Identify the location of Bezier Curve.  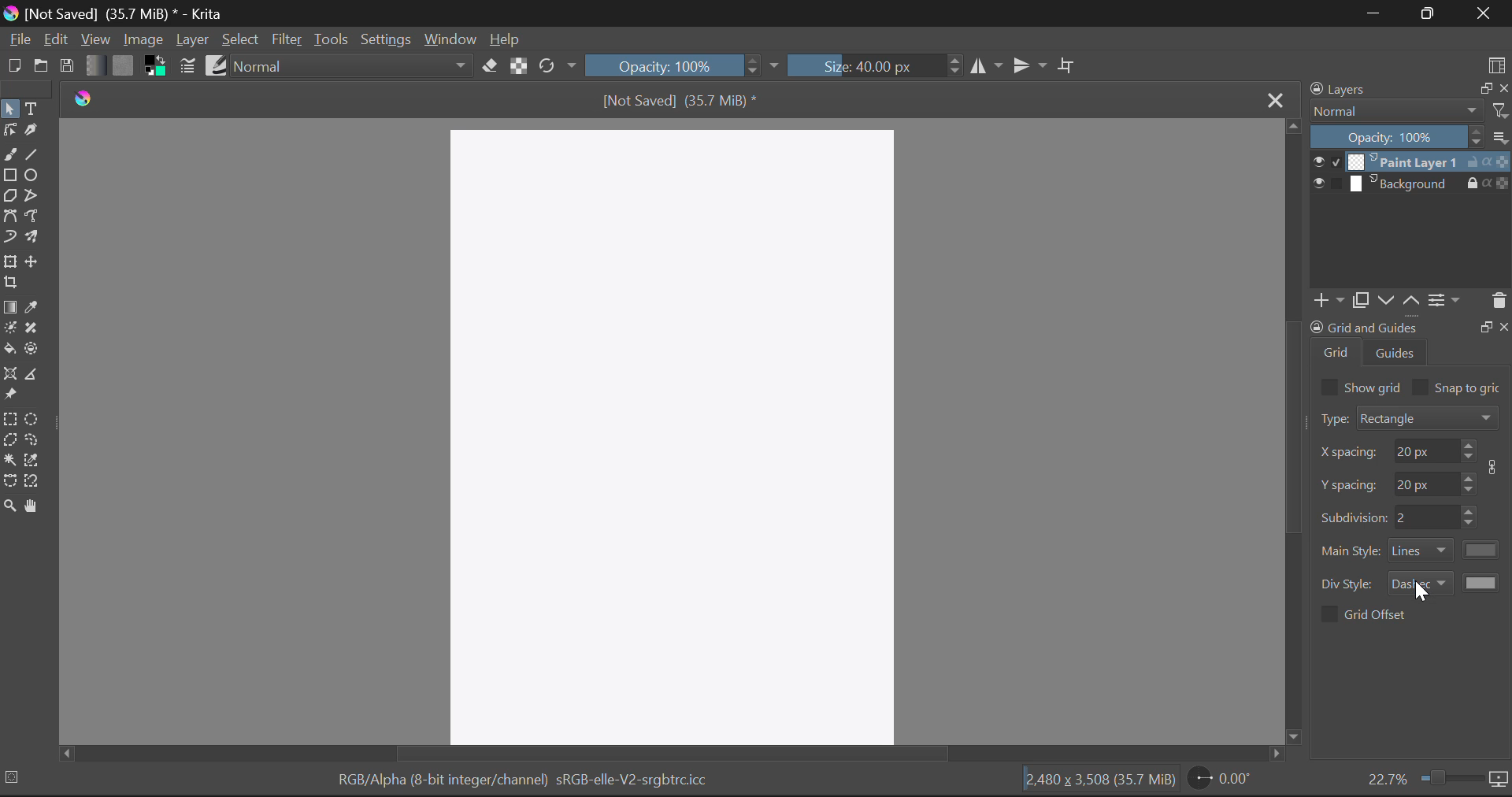
(11, 219).